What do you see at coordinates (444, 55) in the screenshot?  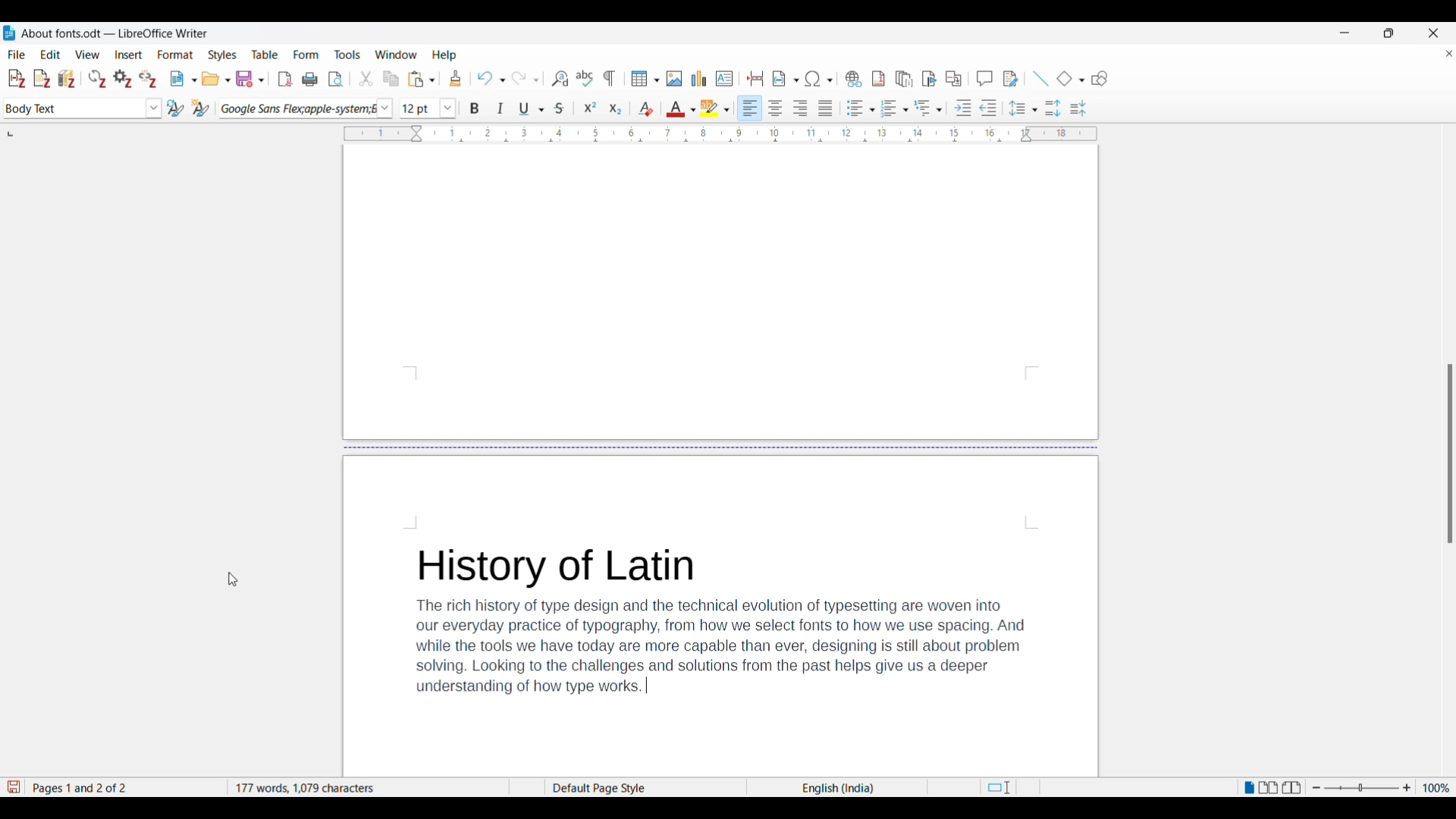 I see `Help menu` at bounding box center [444, 55].